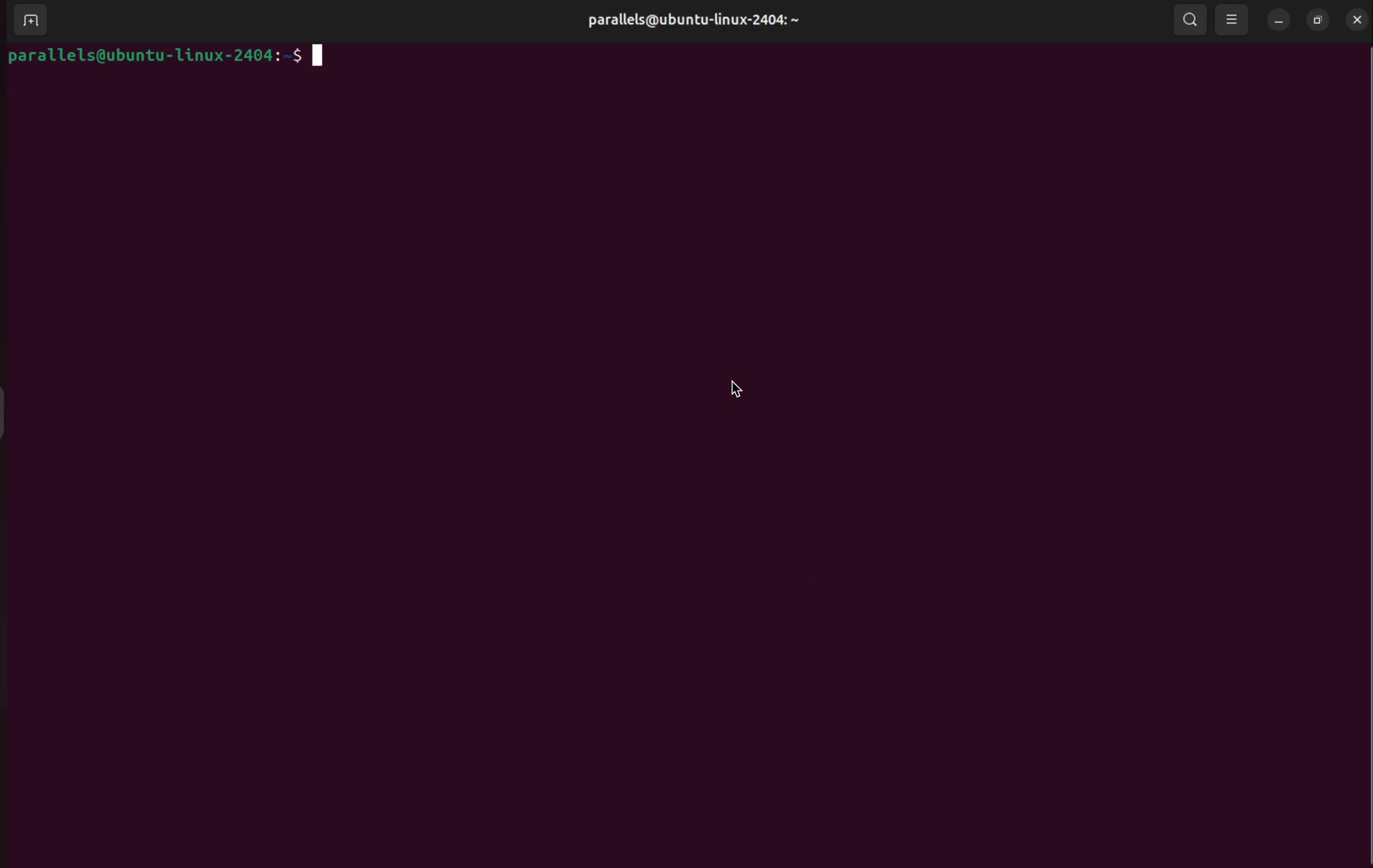 Image resolution: width=1373 pixels, height=868 pixels. I want to click on view options, so click(1233, 19).